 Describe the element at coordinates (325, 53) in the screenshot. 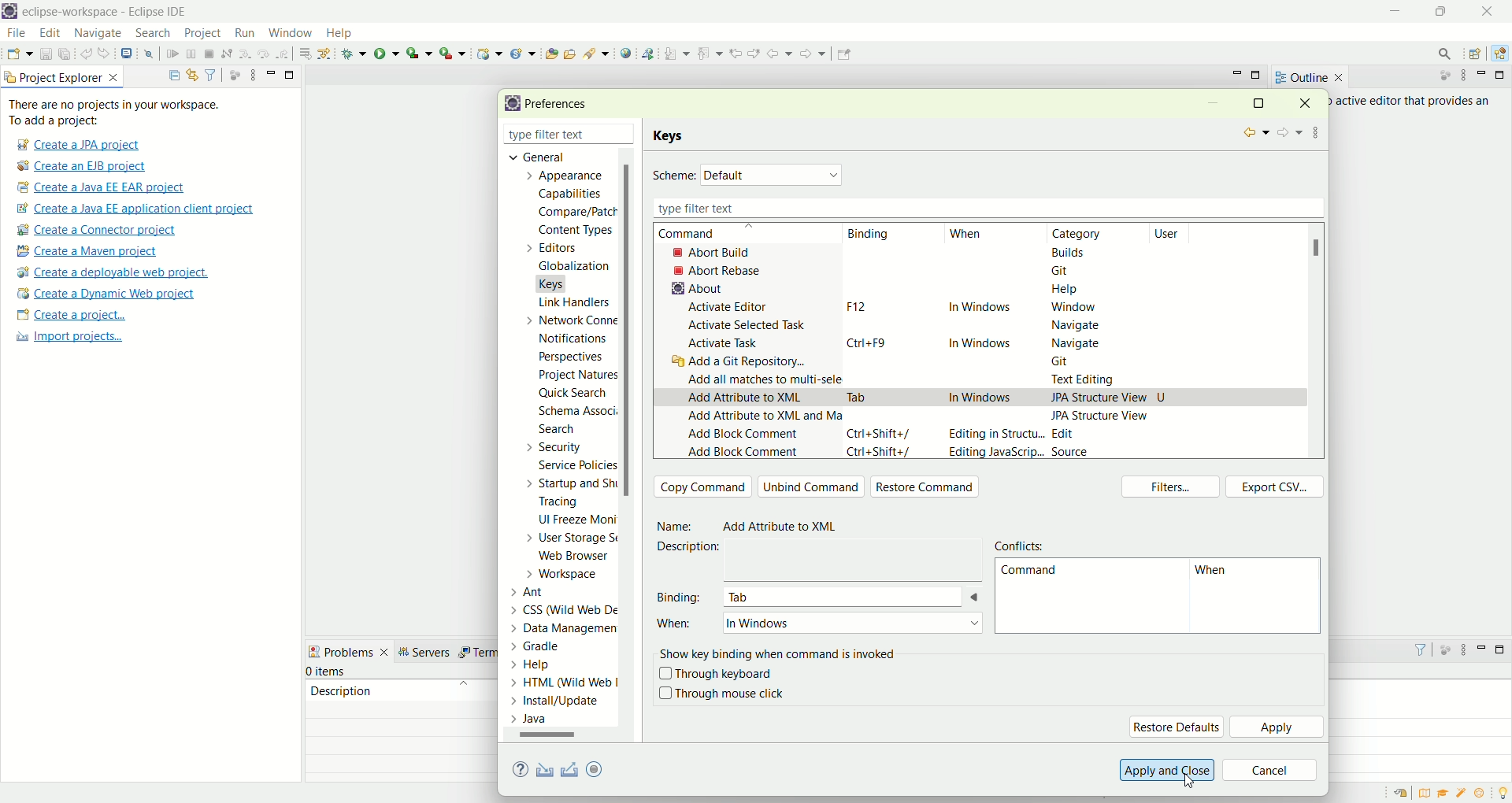

I see `use step filters` at that location.